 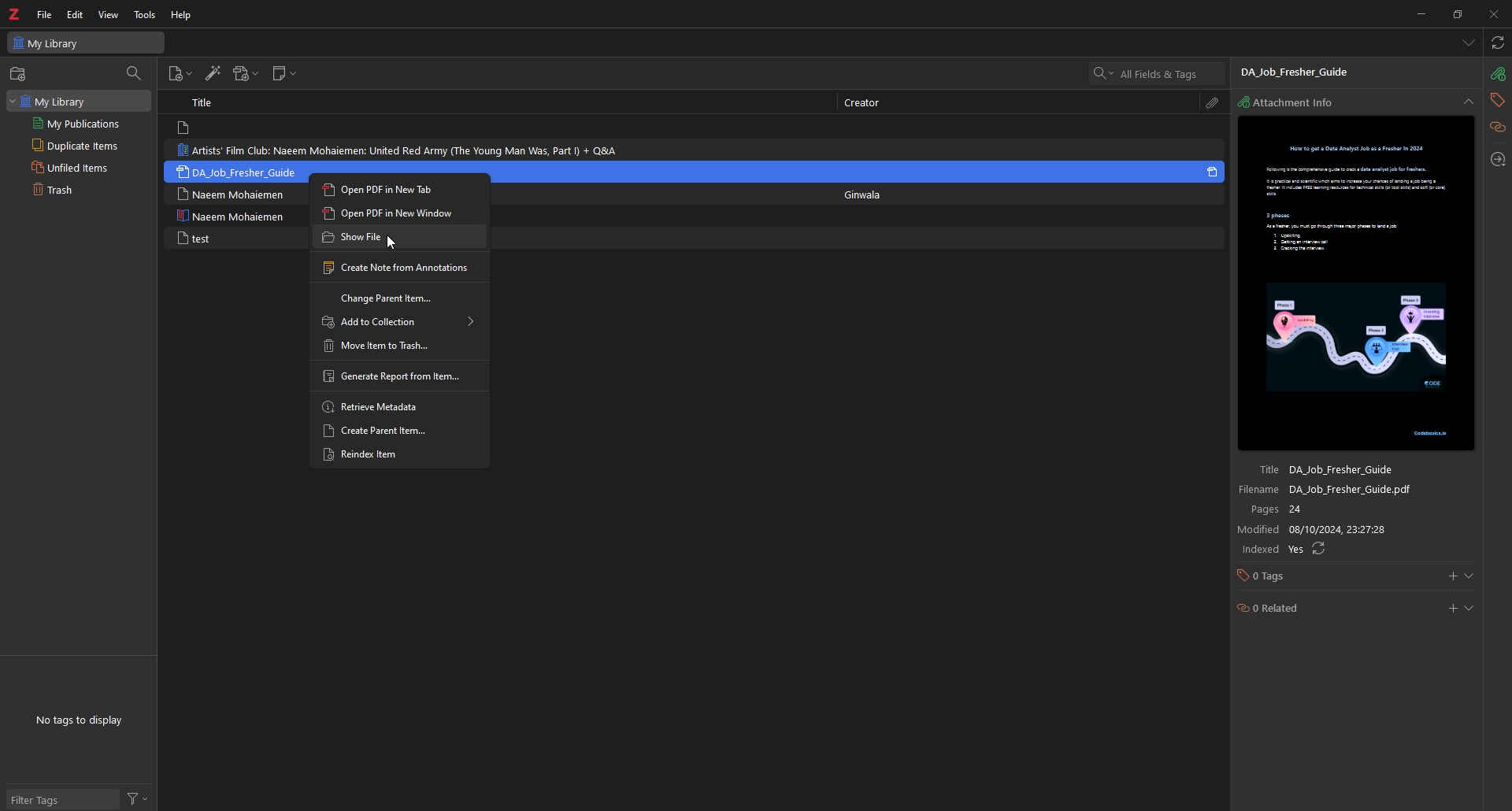 What do you see at coordinates (46, 15) in the screenshot?
I see `file` at bounding box center [46, 15].